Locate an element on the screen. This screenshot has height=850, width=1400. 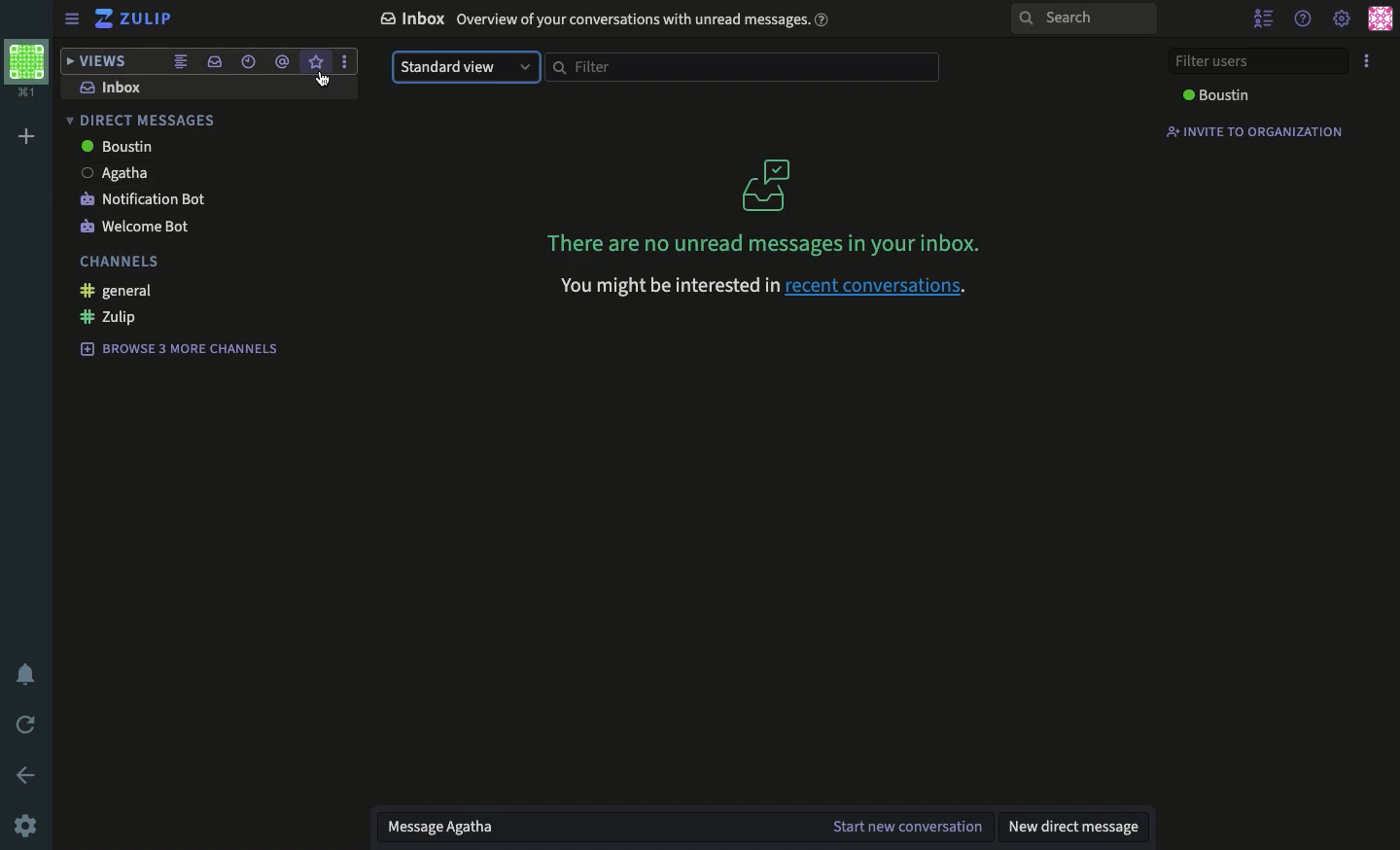
inbox is located at coordinates (114, 89).